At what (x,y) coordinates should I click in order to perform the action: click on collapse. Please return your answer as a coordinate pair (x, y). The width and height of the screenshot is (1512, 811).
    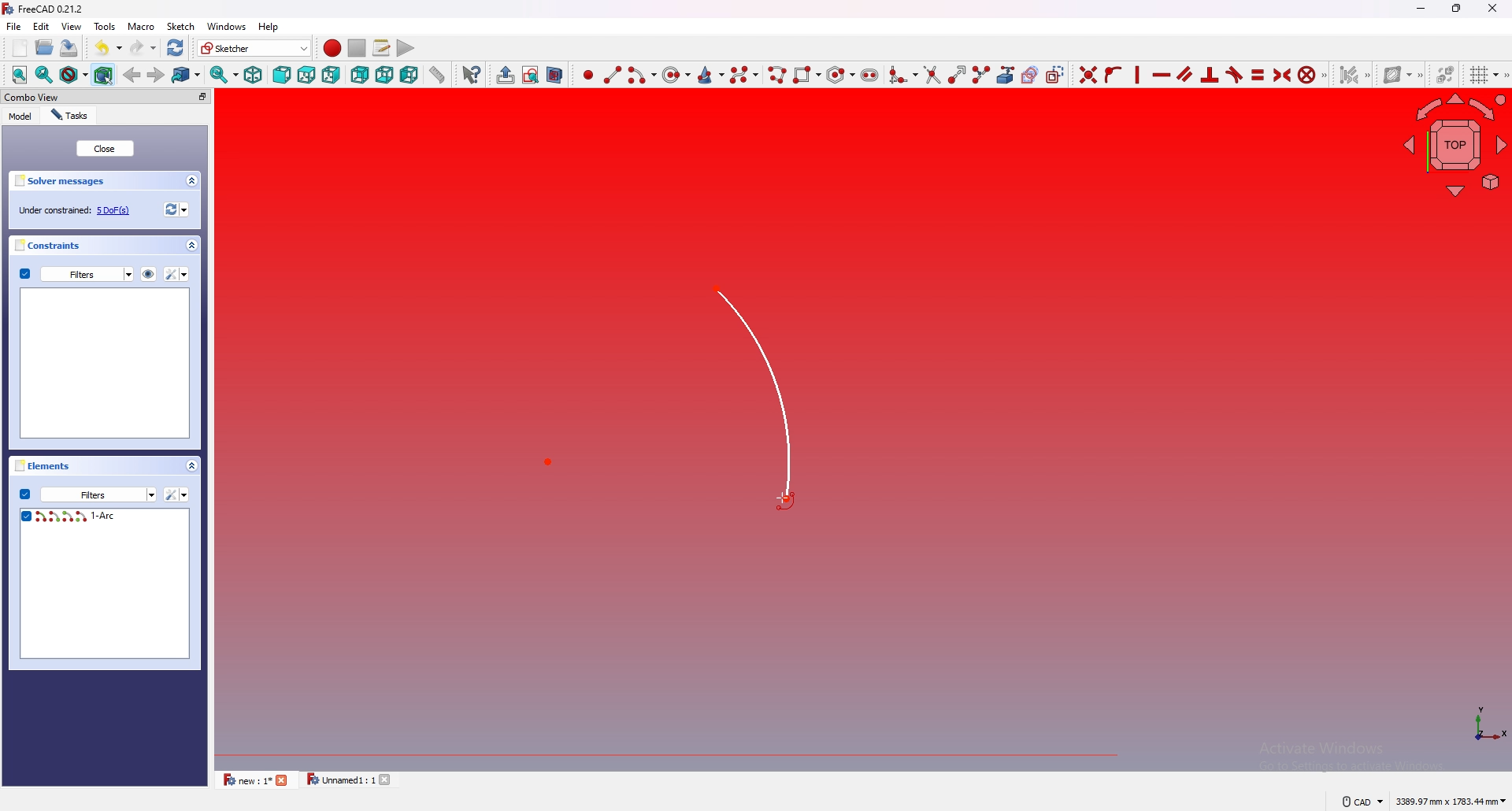
    Looking at the image, I should click on (192, 181).